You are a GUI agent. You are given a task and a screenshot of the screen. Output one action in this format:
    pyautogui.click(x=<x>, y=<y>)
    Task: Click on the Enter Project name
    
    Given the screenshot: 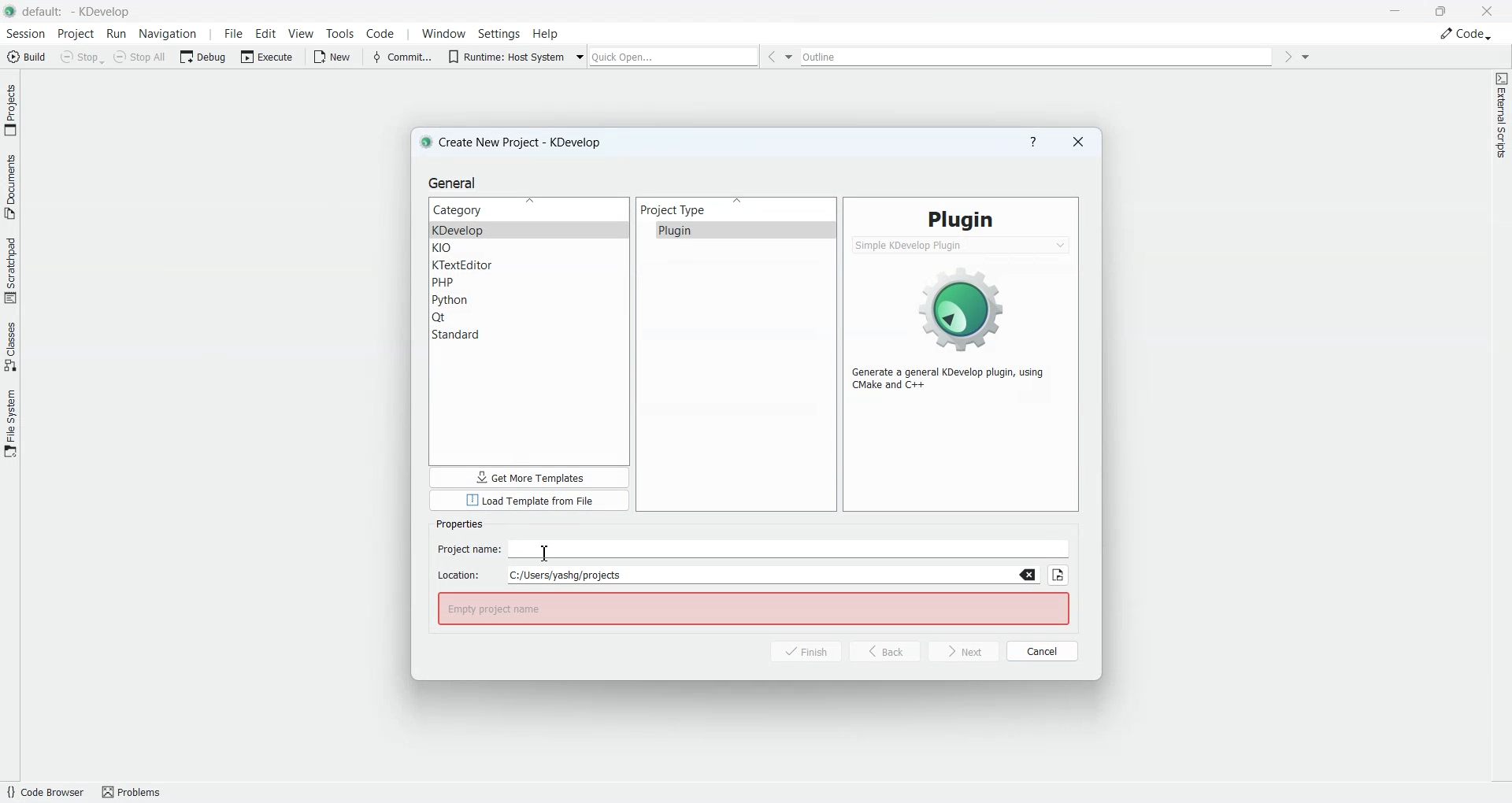 What is the action you would take?
    pyautogui.click(x=754, y=550)
    